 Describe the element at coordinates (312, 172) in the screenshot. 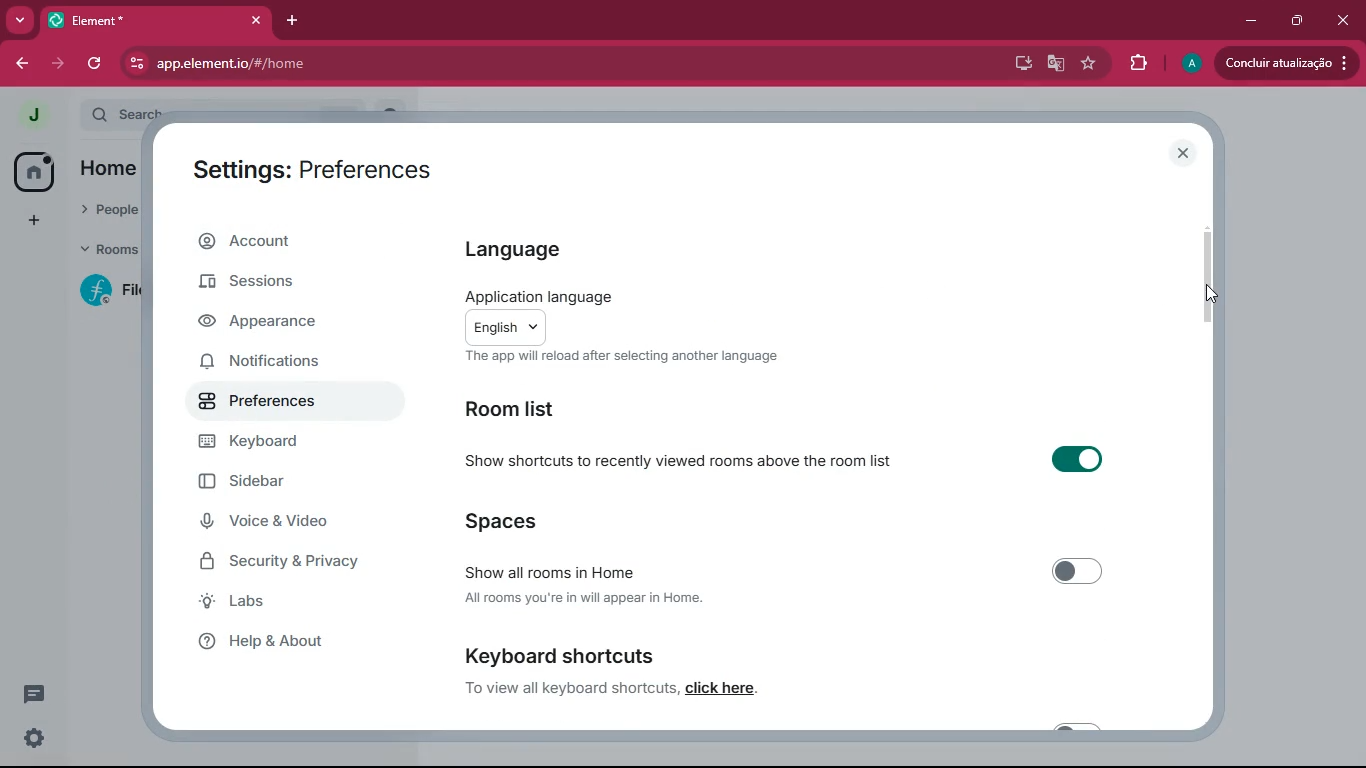

I see `Settings: Preferences` at that location.